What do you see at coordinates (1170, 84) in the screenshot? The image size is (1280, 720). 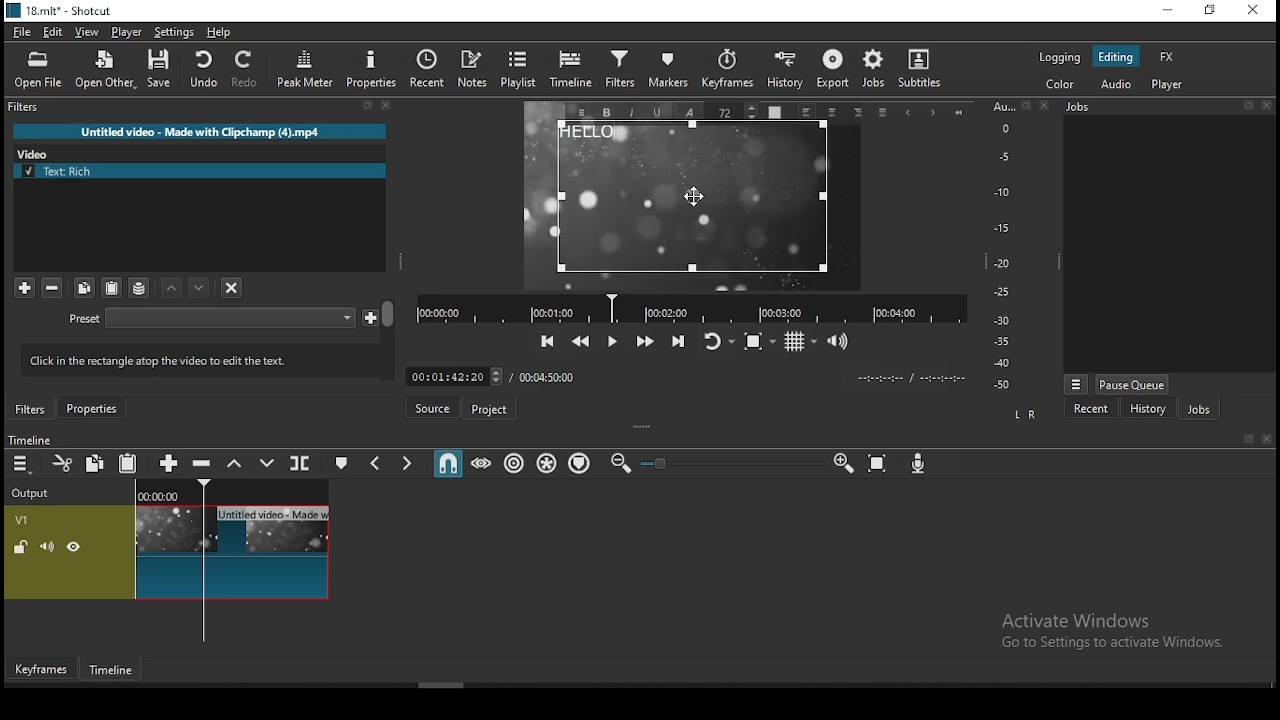 I see `player` at bounding box center [1170, 84].